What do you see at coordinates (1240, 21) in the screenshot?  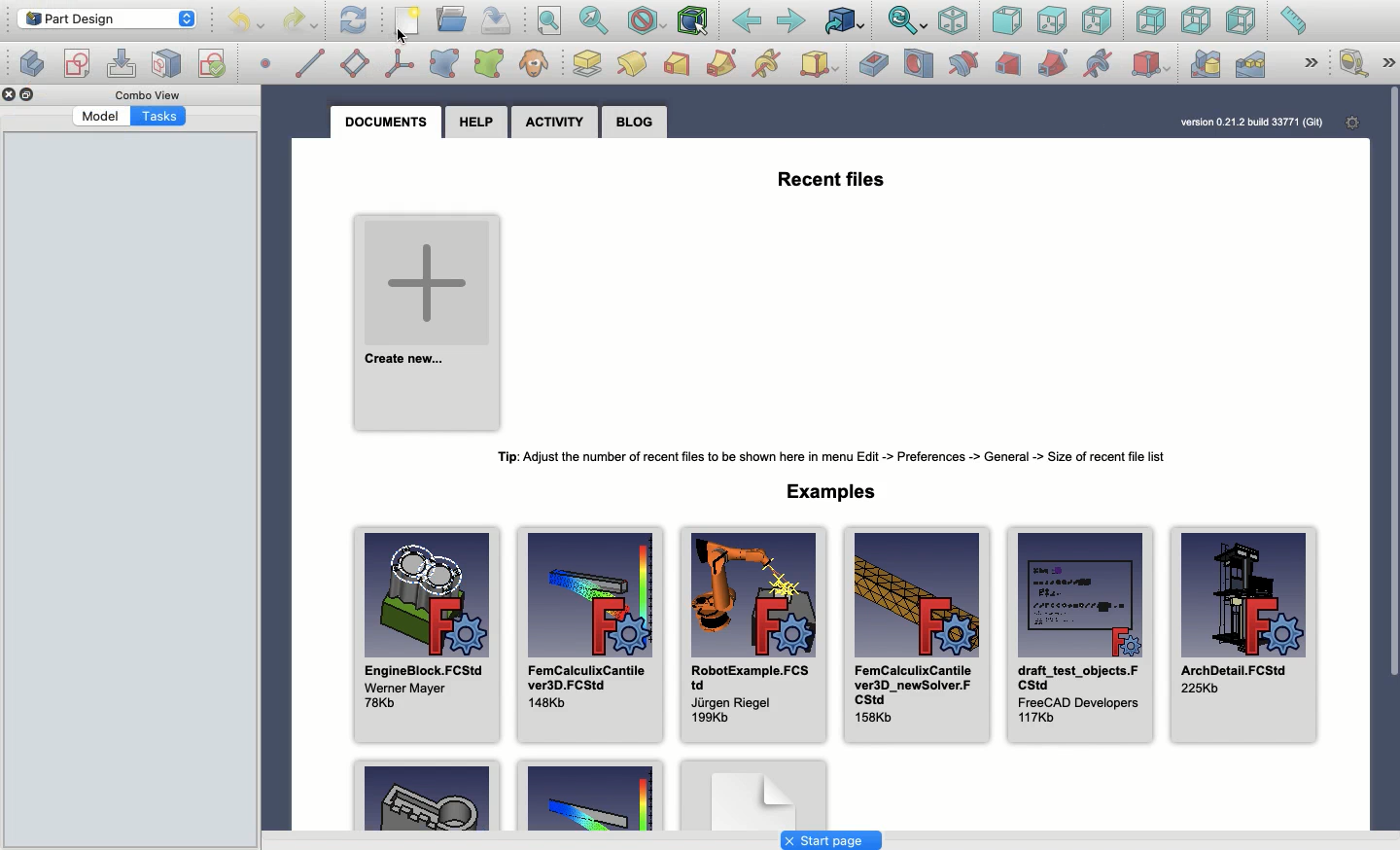 I see `Left` at bounding box center [1240, 21].